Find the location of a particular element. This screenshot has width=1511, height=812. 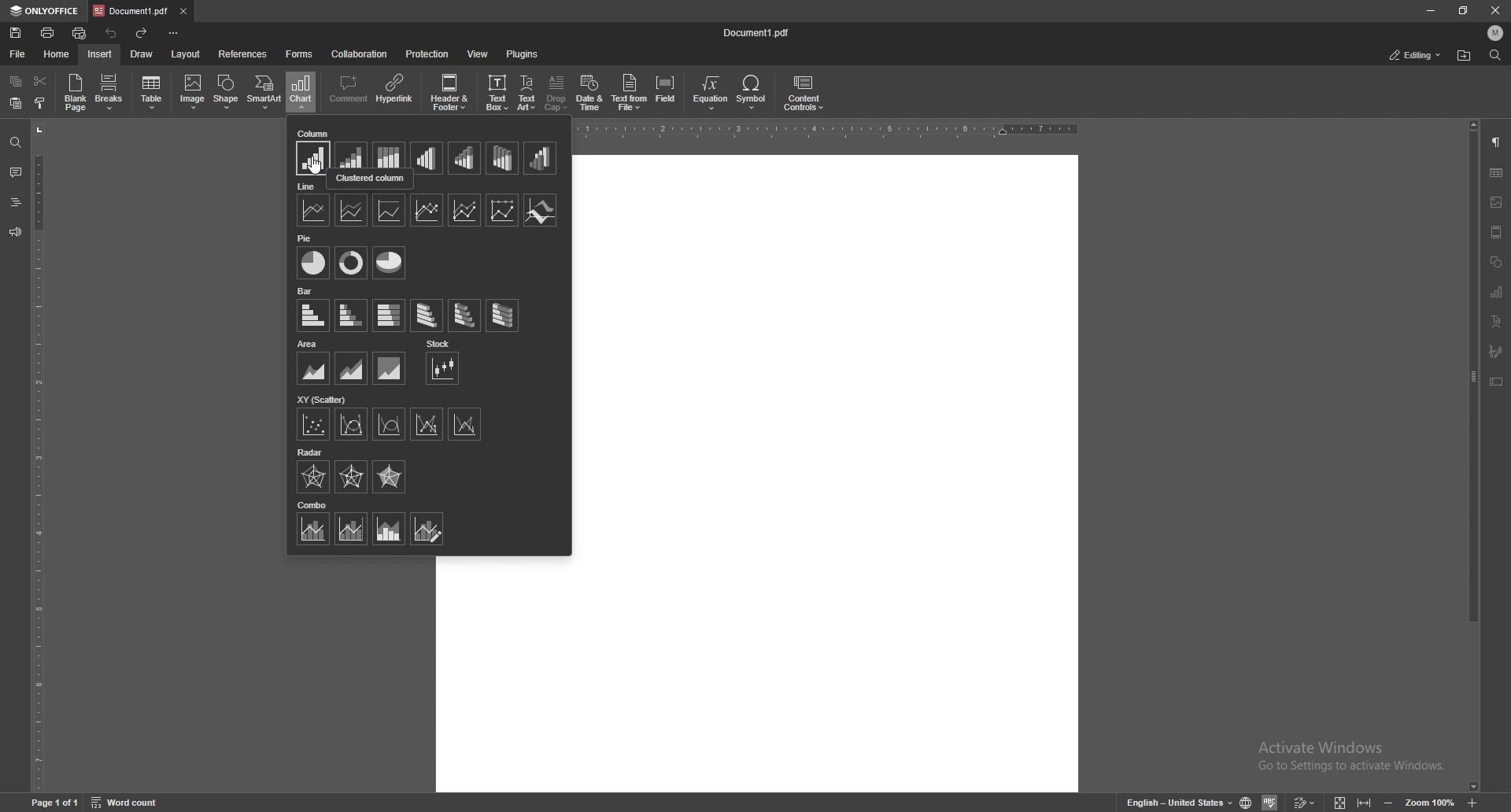

3-D line is located at coordinates (541, 210).